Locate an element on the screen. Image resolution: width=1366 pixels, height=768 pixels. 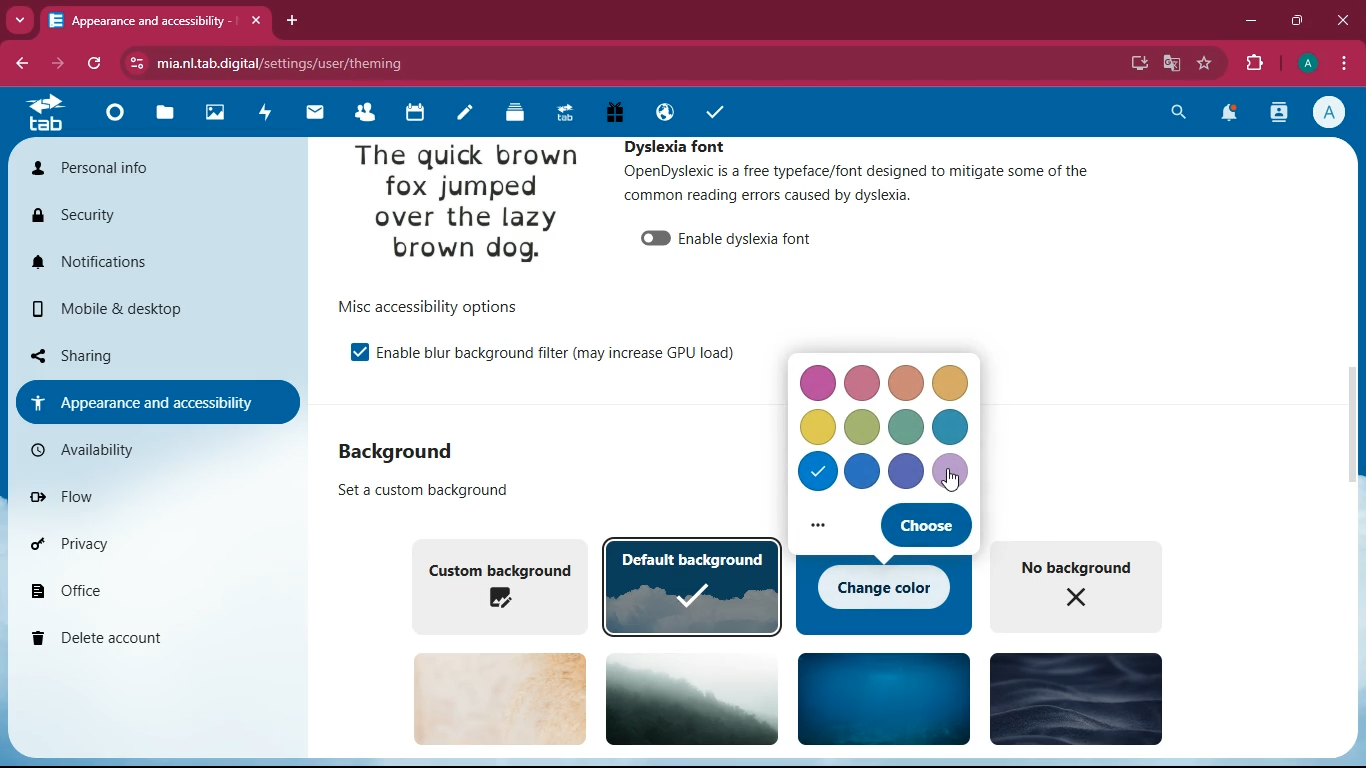
color is located at coordinates (817, 383).